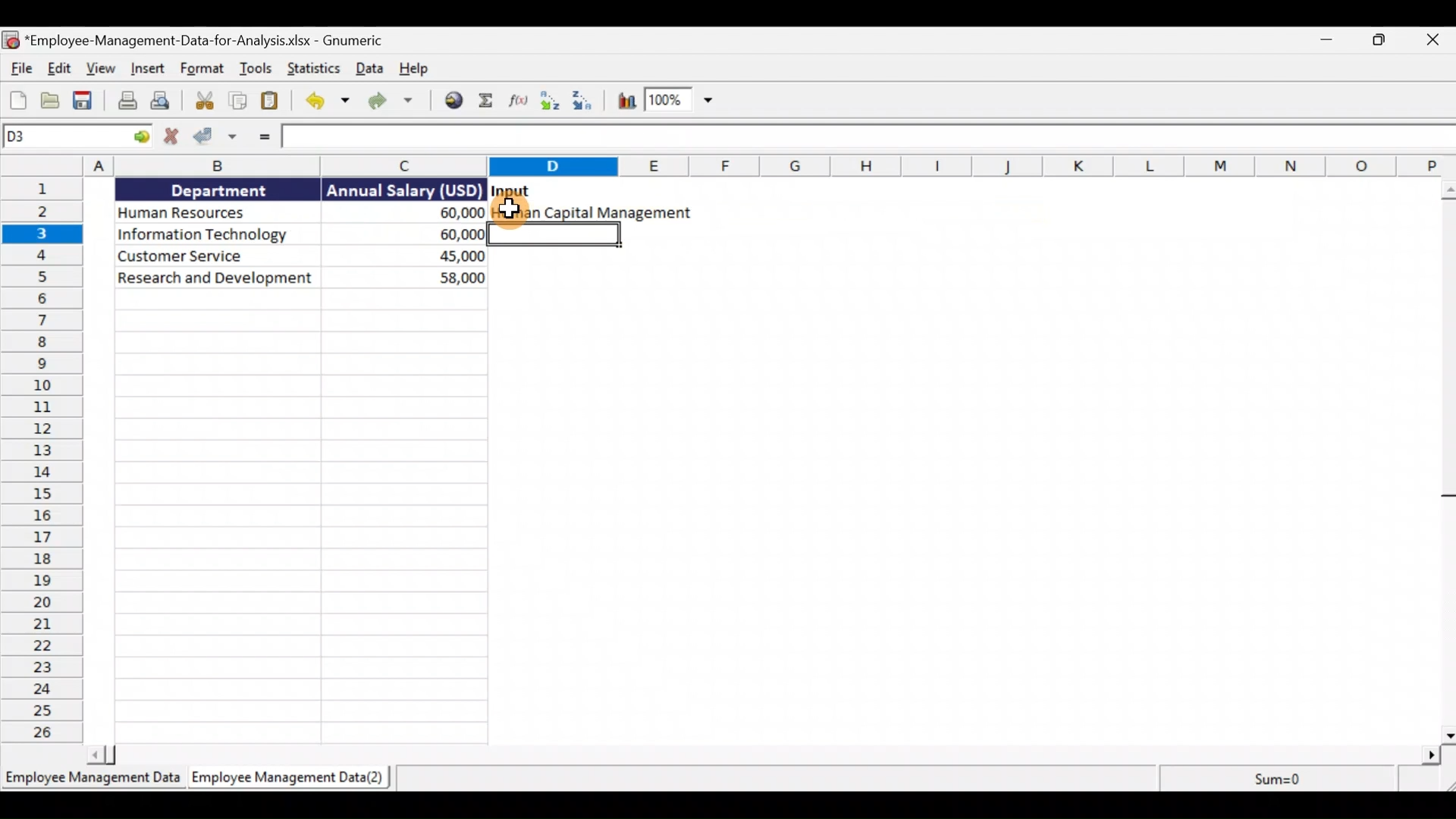 The width and height of the screenshot is (1456, 819). What do you see at coordinates (61, 68) in the screenshot?
I see `Edit` at bounding box center [61, 68].